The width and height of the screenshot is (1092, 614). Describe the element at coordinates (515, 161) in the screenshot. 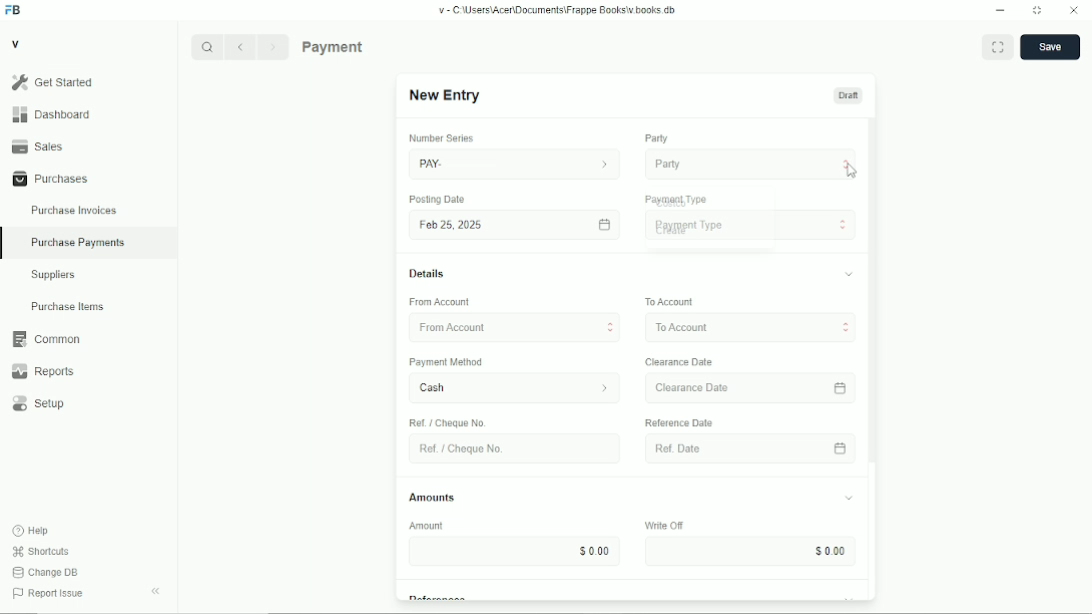

I see `PAY.` at that location.